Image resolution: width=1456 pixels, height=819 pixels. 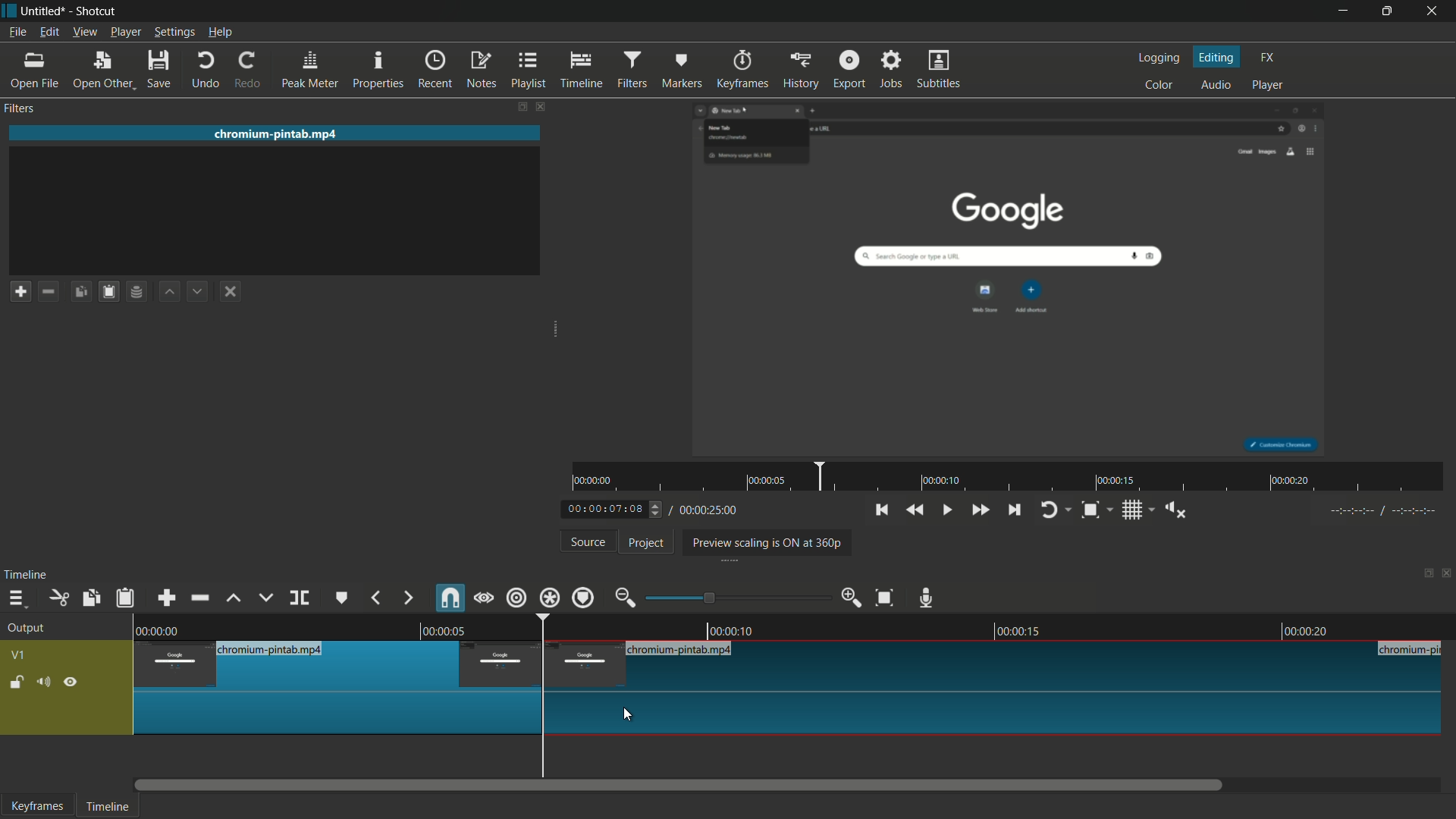 I want to click on notes, so click(x=481, y=70).